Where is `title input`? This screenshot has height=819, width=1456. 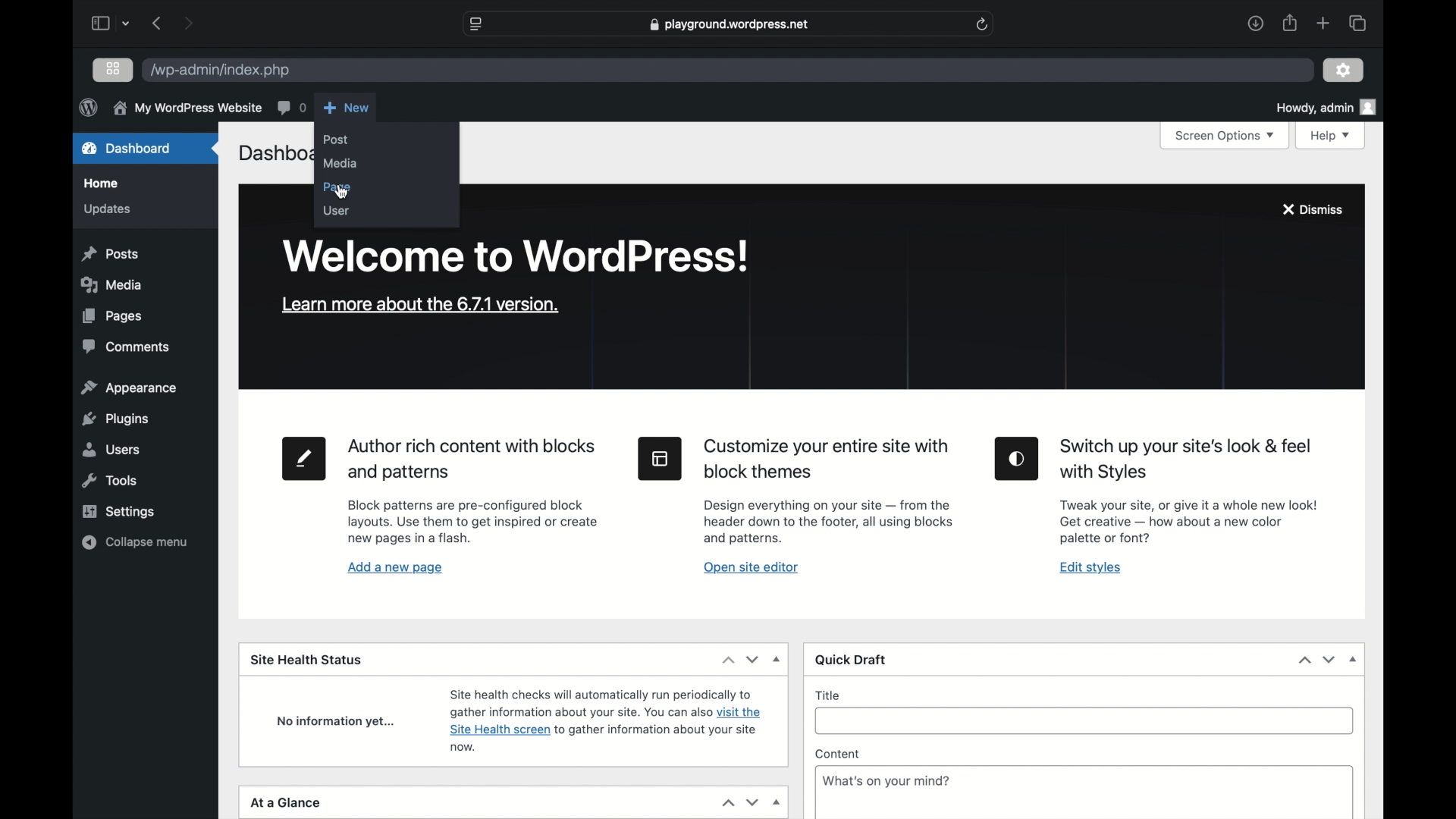 title input is located at coordinates (1085, 722).